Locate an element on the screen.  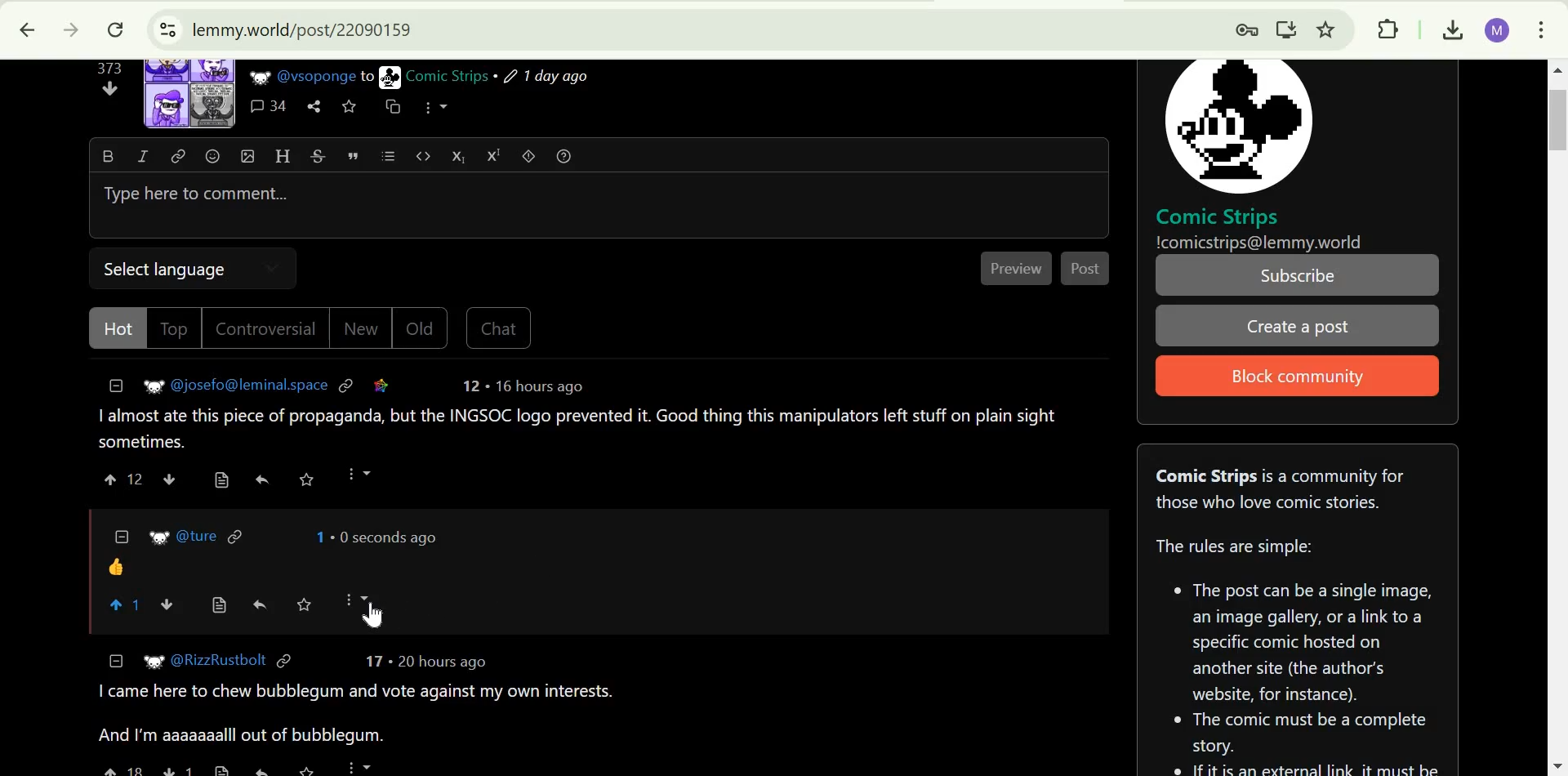
Comic Strips is located at coordinates (1218, 216).